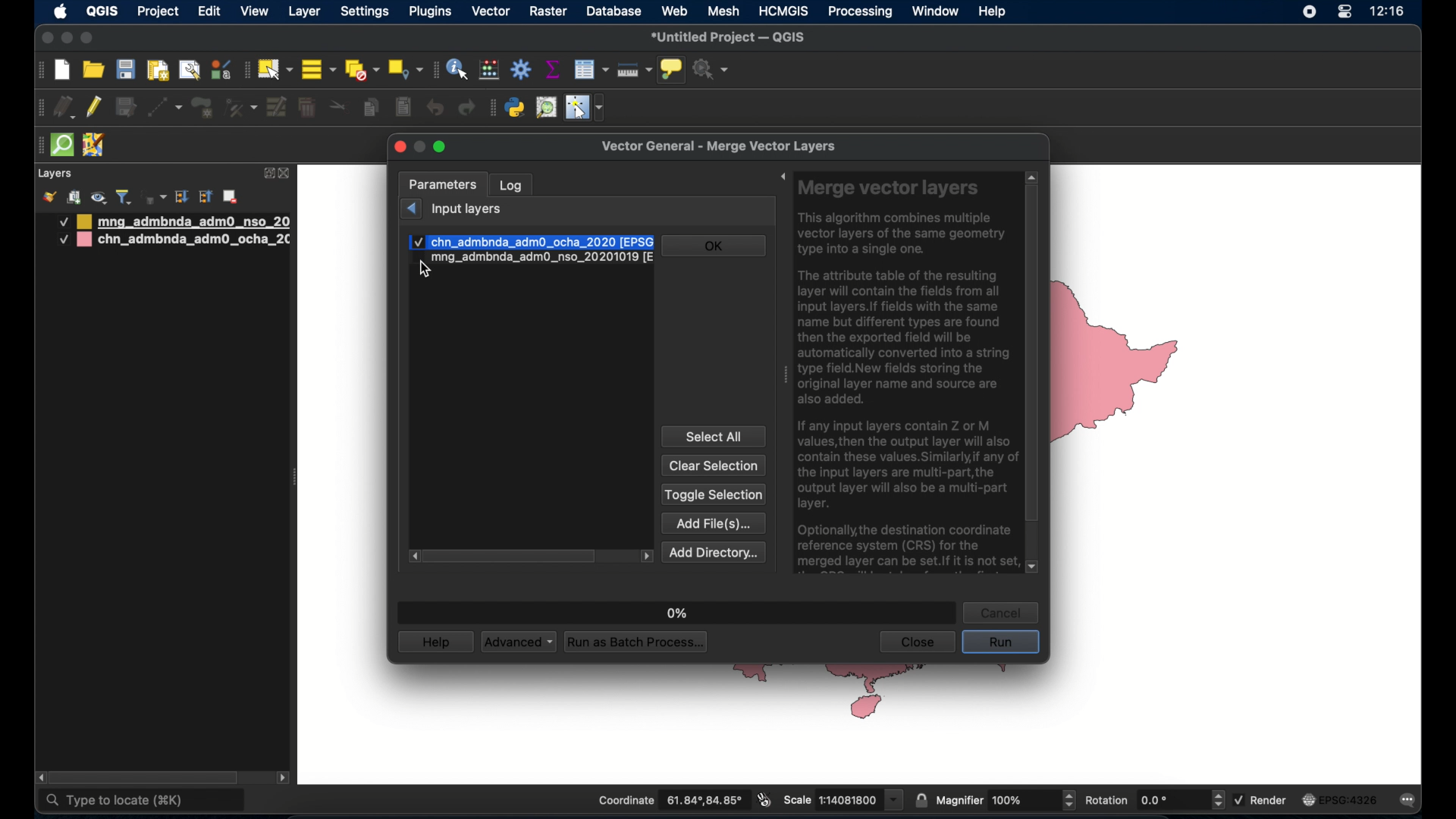 The width and height of the screenshot is (1456, 819). I want to click on project toolbar, so click(38, 71).